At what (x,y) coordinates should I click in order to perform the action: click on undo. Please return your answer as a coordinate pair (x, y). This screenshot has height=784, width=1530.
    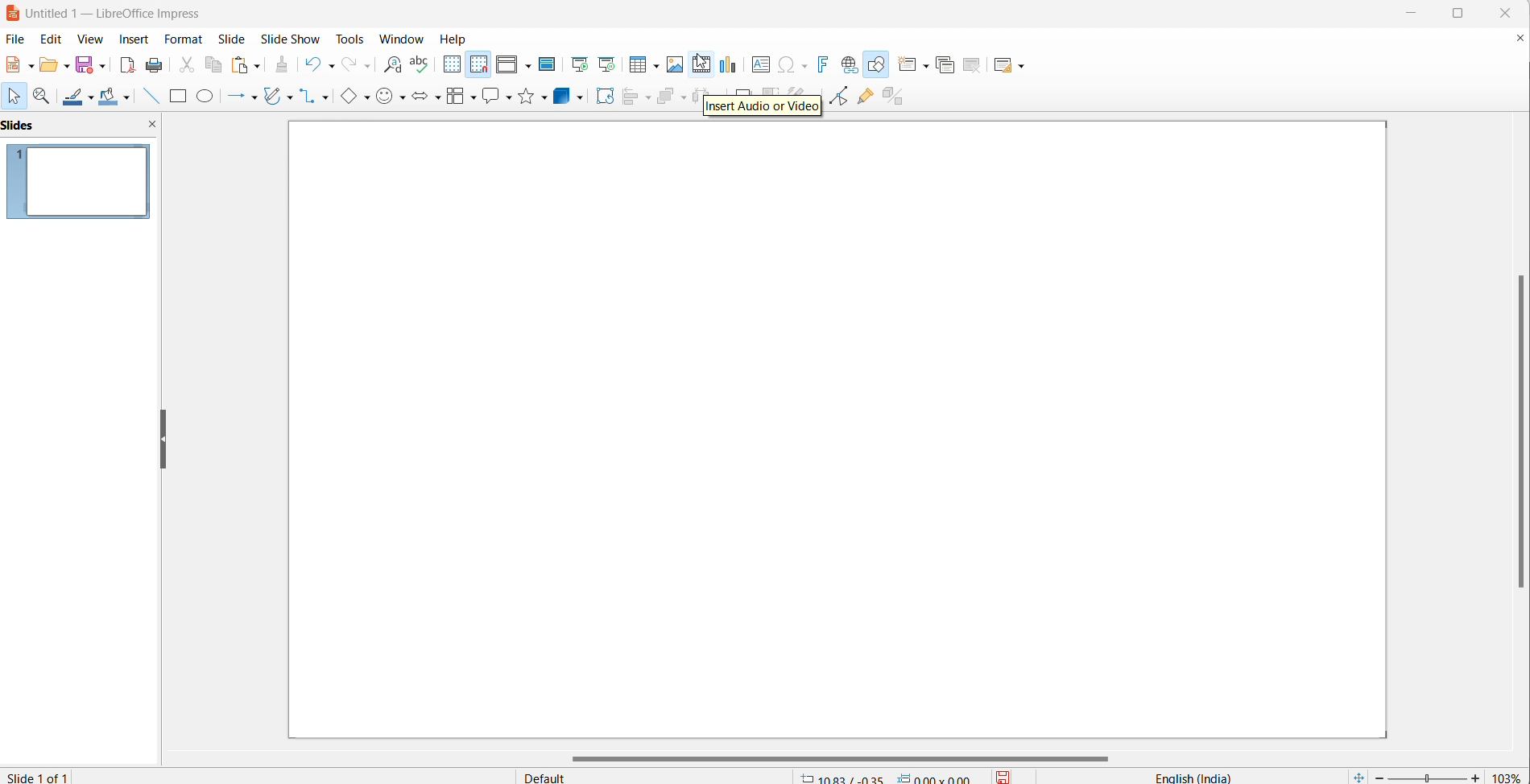
    Looking at the image, I should click on (310, 64).